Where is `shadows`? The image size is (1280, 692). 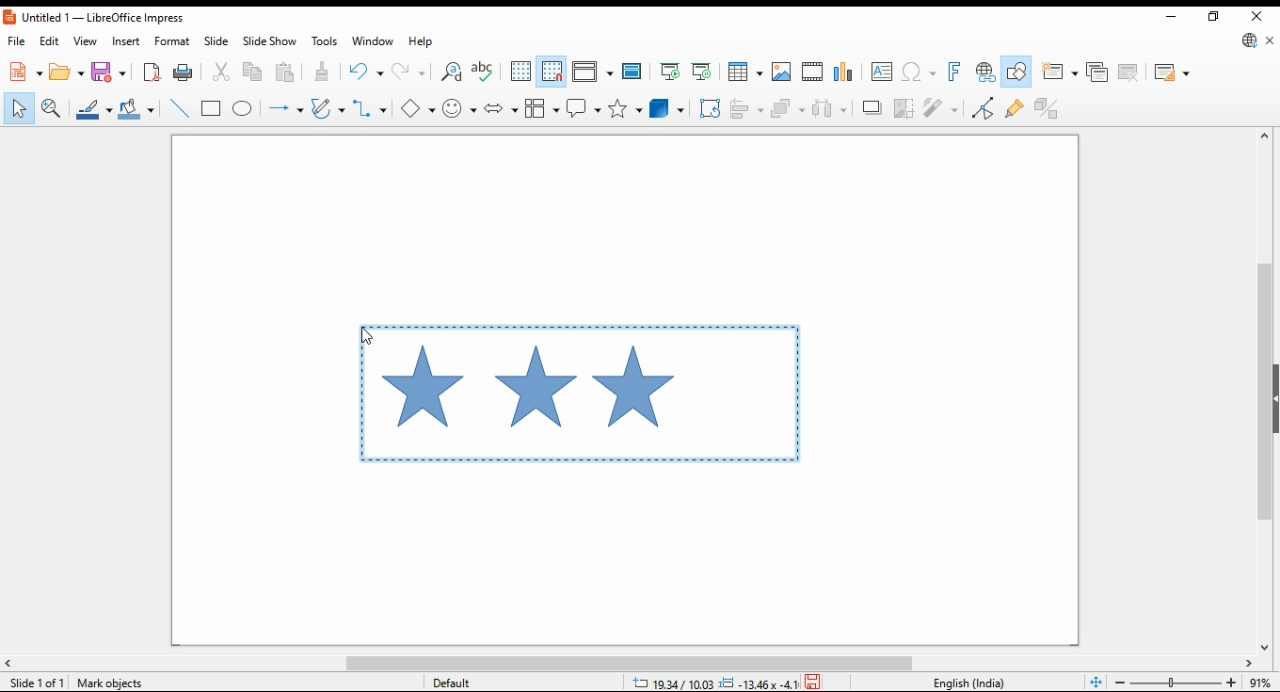
shadows is located at coordinates (872, 108).